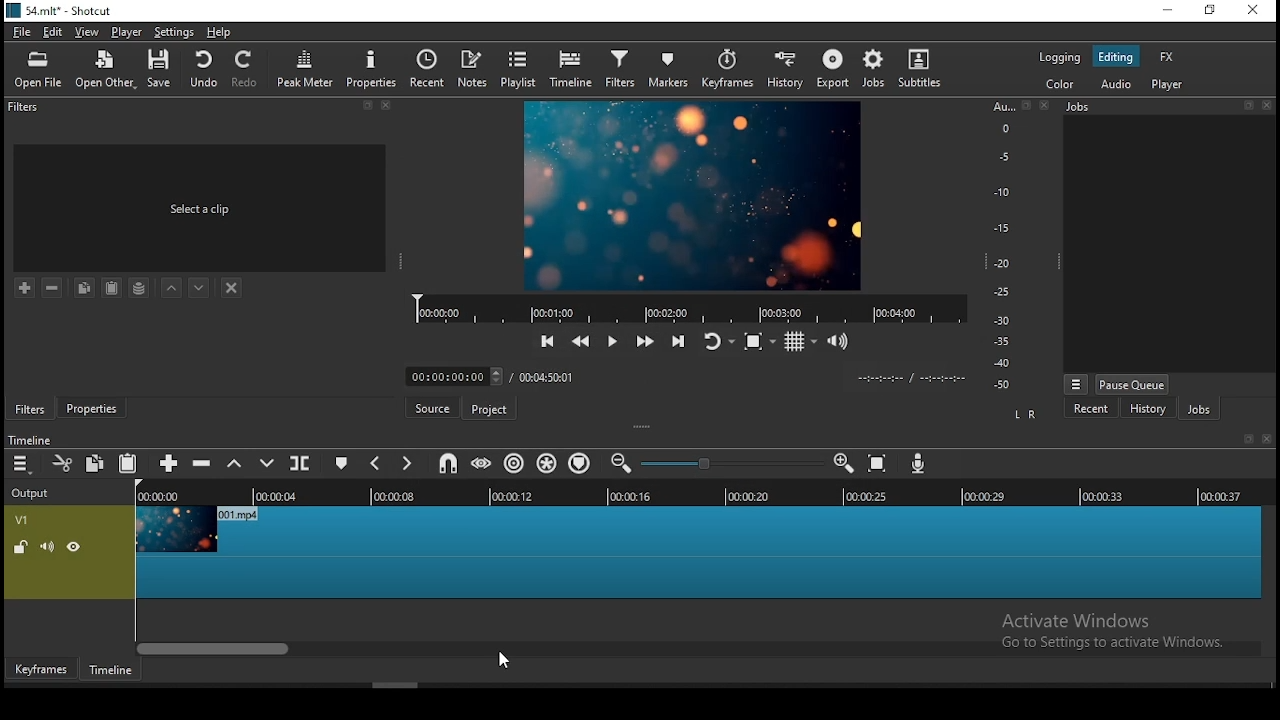 The height and width of the screenshot is (720, 1280). Describe the element at coordinates (20, 549) in the screenshot. I see `unlock` at that location.